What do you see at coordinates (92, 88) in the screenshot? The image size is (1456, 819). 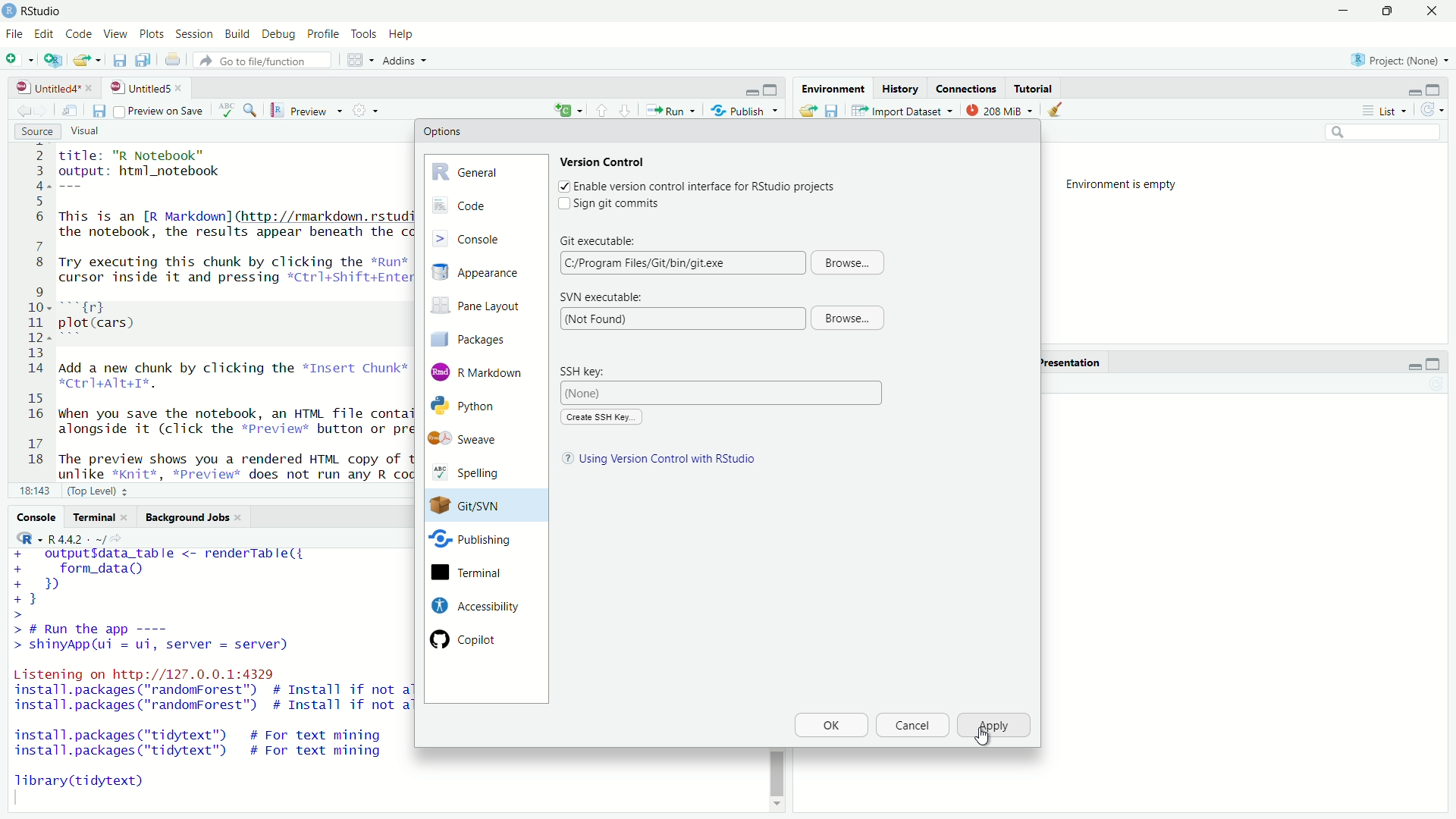 I see `close` at bounding box center [92, 88].